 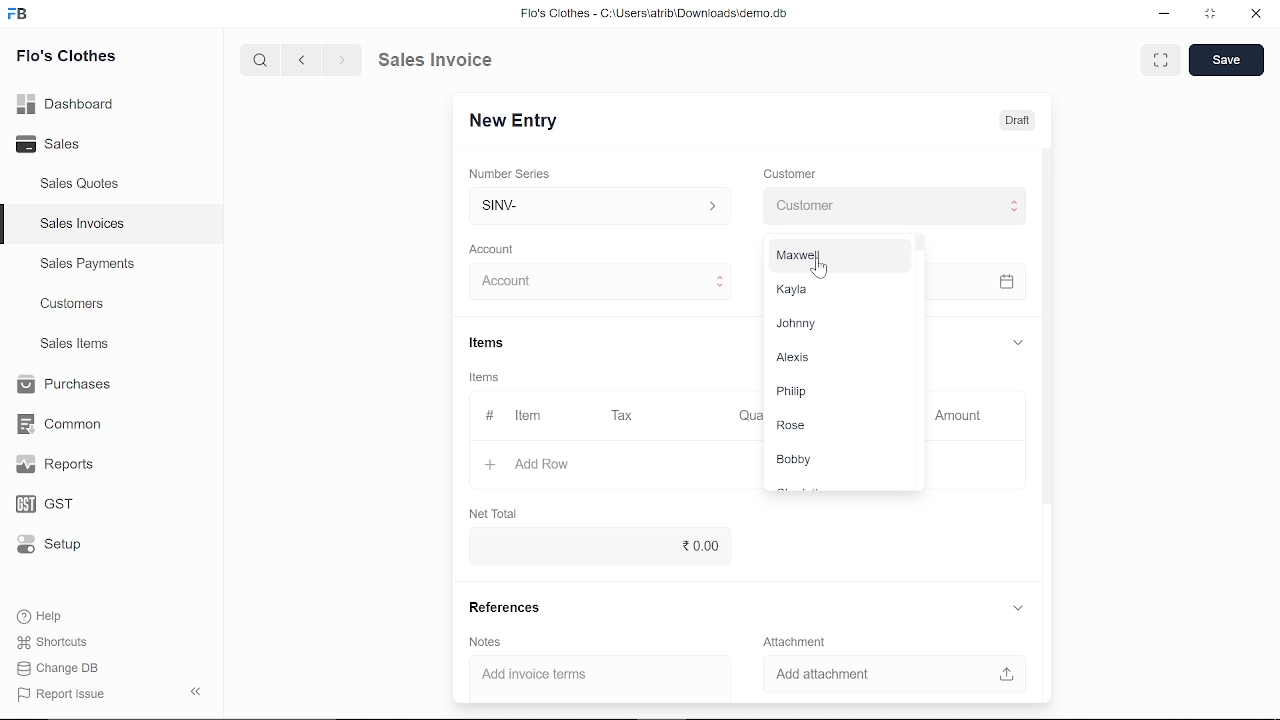 I want to click on Reports., so click(x=63, y=464).